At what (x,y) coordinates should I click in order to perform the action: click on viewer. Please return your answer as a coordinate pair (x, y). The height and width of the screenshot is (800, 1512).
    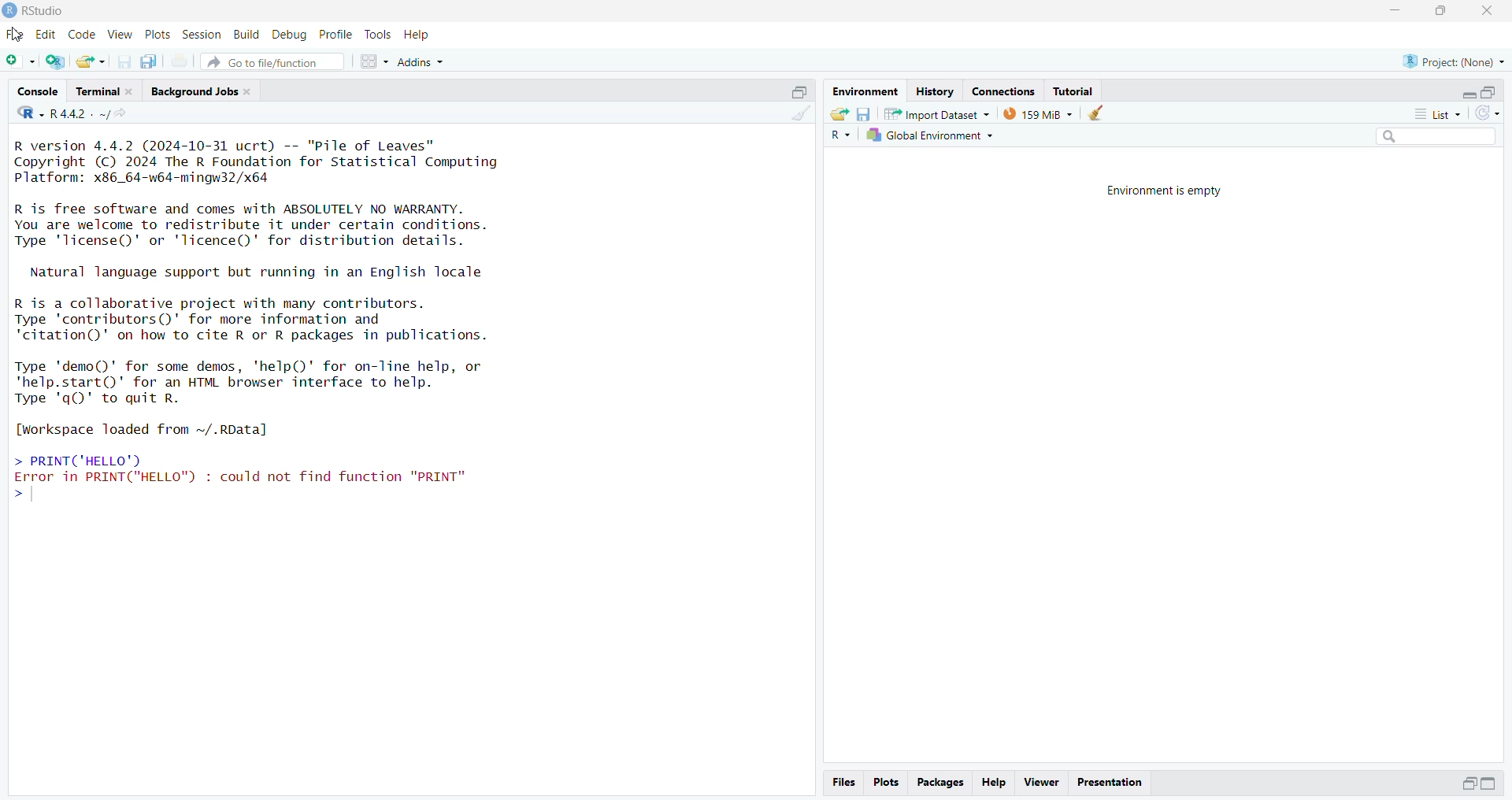
    Looking at the image, I should click on (1041, 783).